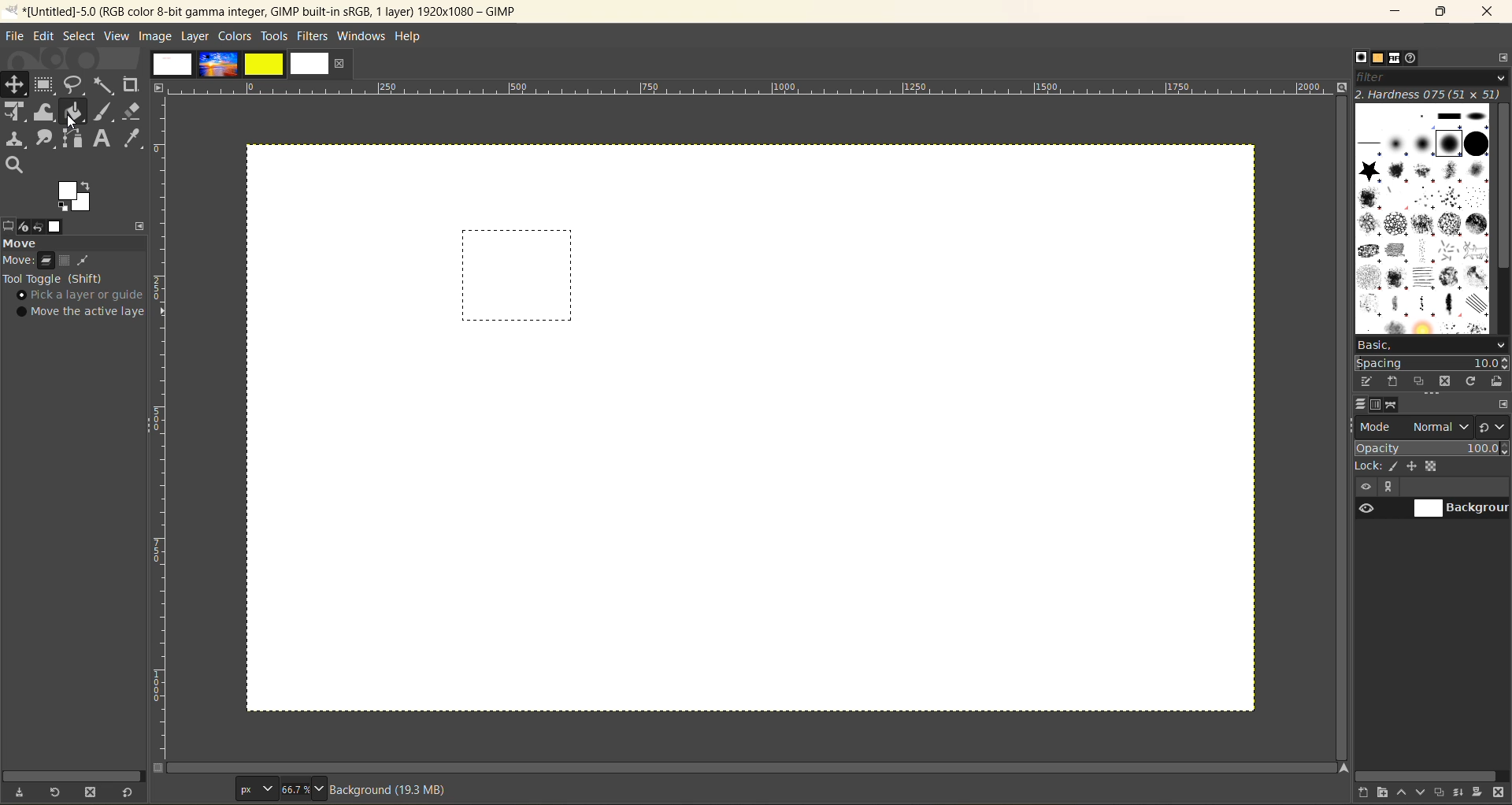 The image size is (1512, 805). Describe the element at coordinates (1369, 383) in the screenshot. I see `edit this brush` at that location.